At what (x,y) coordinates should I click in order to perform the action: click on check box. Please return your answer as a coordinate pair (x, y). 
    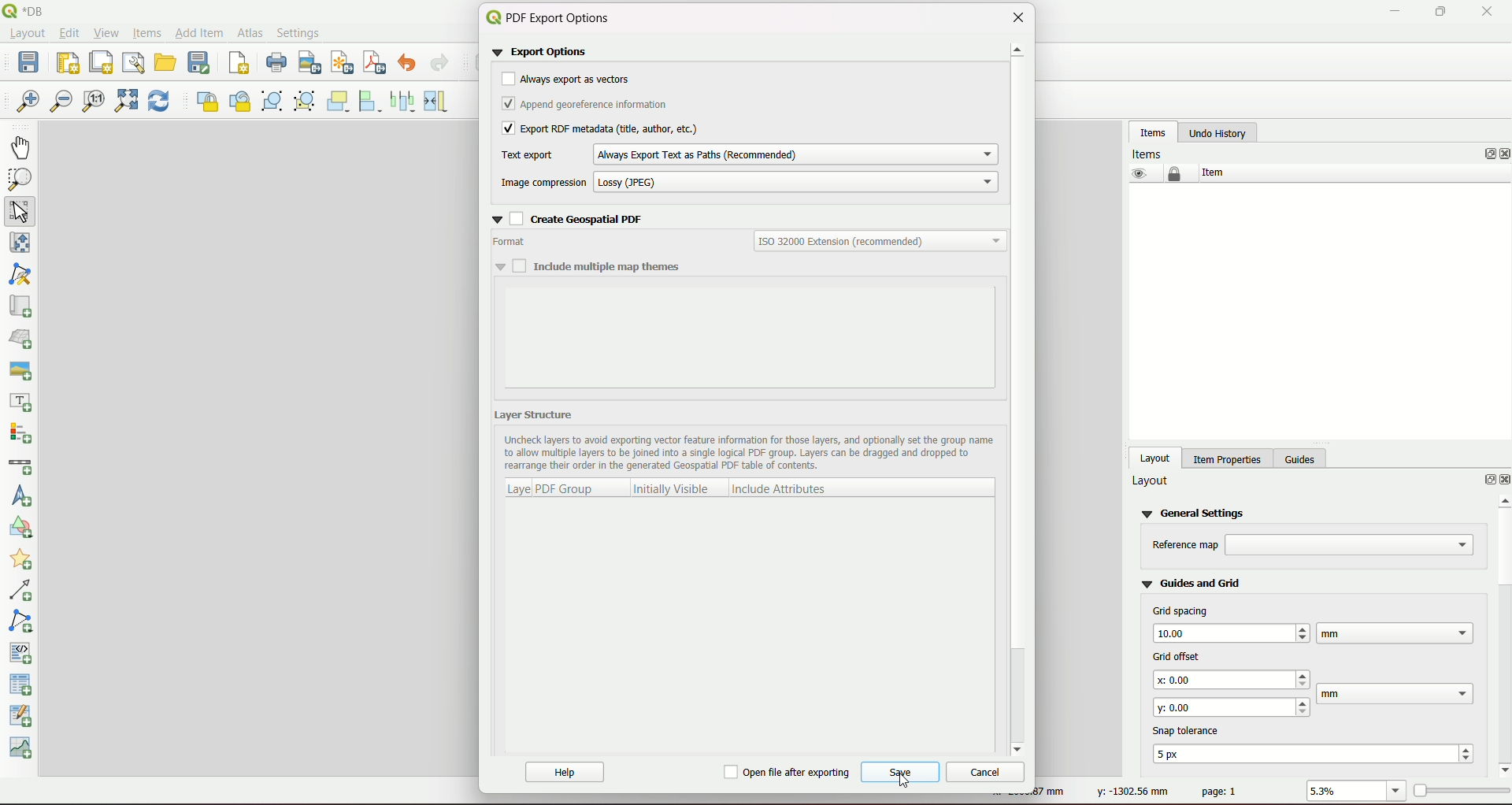
    Looking at the image, I should click on (506, 104).